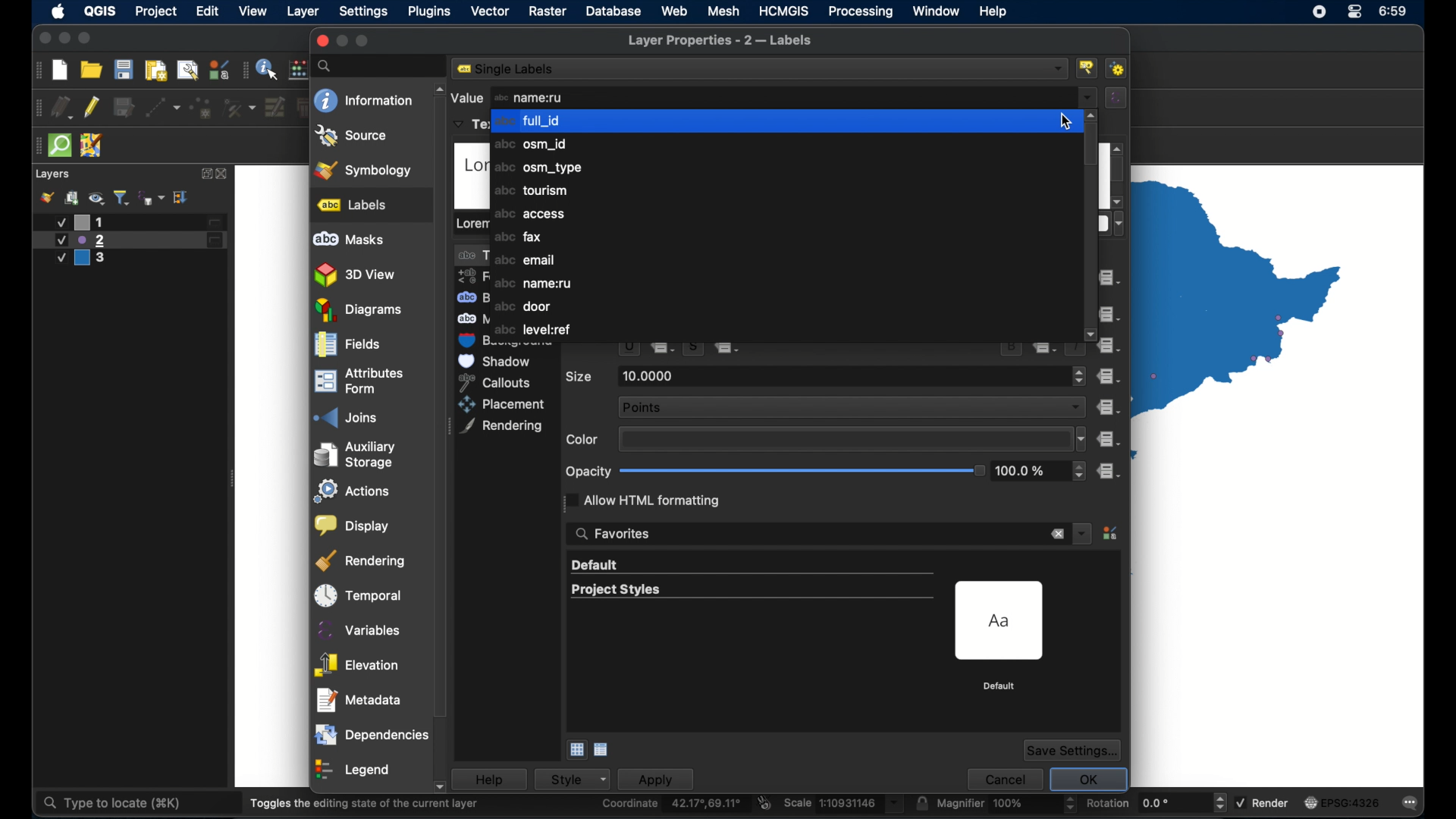 This screenshot has width=1456, height=819. Describe the element at coordinates (1059, 80) in the screenshot. I see `cursor` at that location.